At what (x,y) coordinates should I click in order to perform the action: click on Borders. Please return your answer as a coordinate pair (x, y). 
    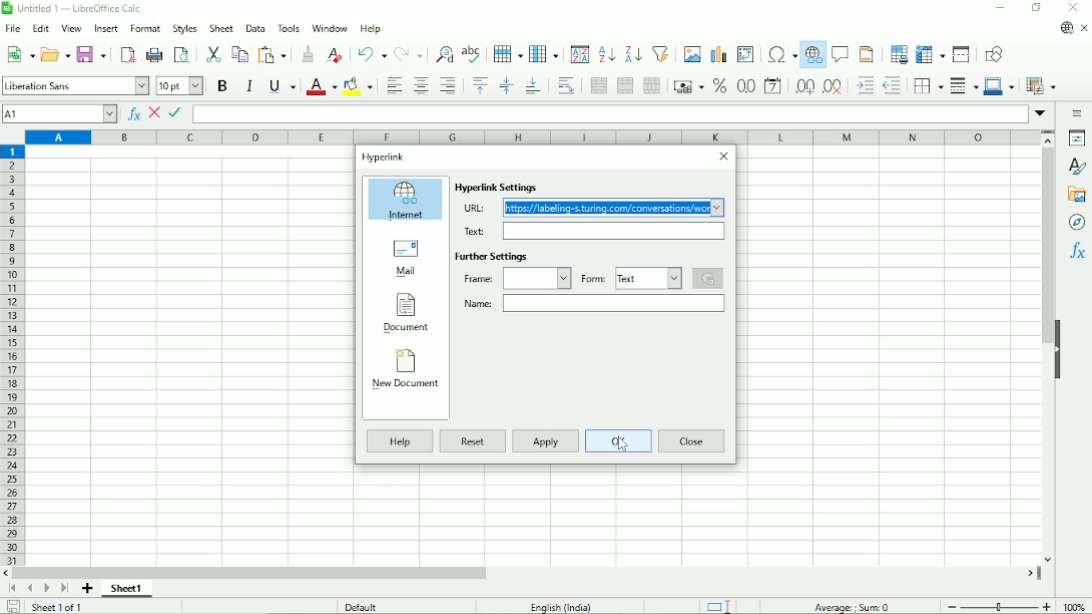
    Looking at the image, I should click on (928, 86).